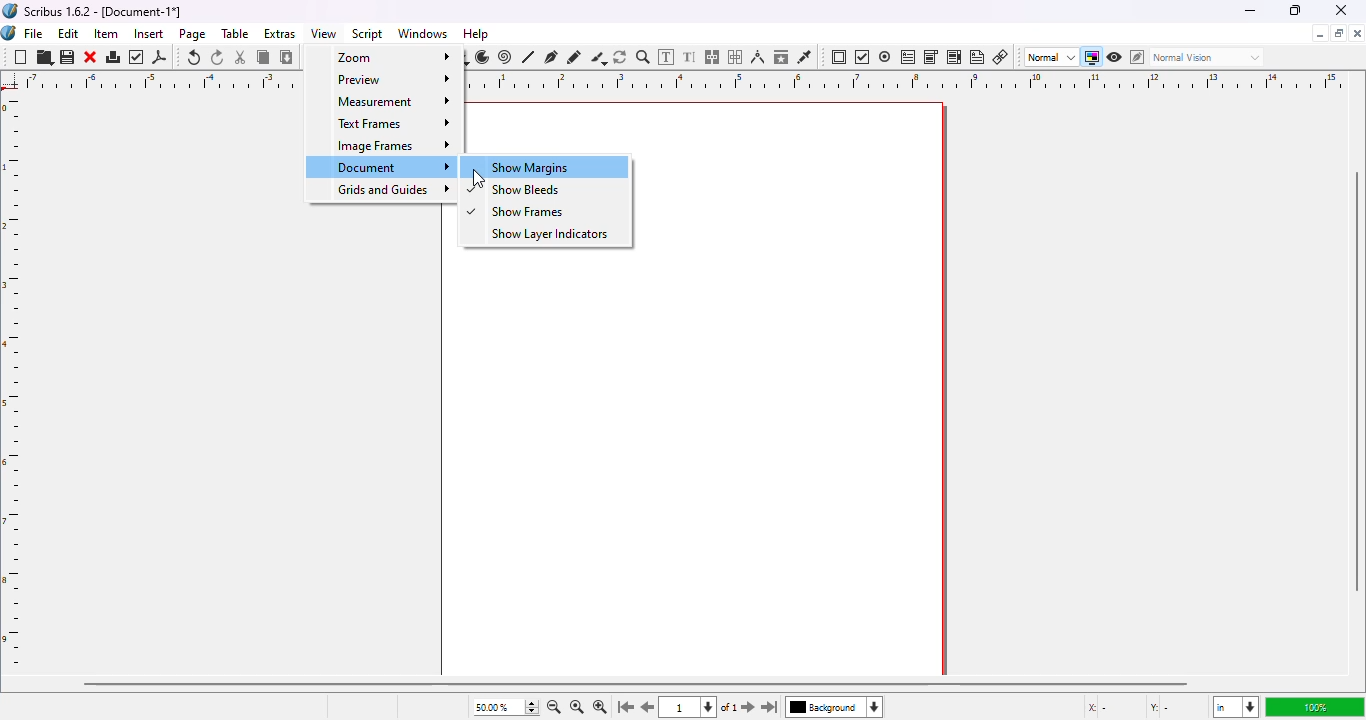  Describe the element at coordinates (1137, 57) in the screenshot. I see `edit in preview mode` at that location.